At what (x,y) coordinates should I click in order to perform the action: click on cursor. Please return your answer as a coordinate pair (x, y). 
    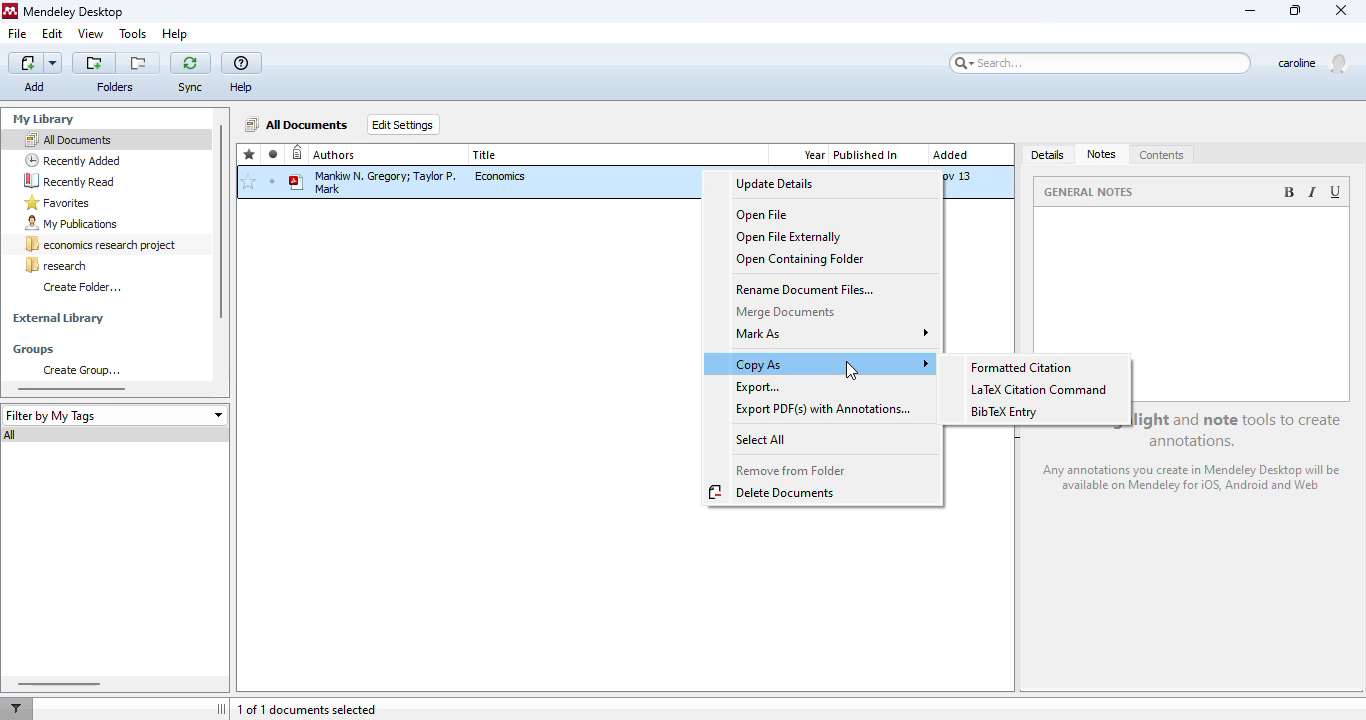
    Looking at the image, I should click on (853, 372).